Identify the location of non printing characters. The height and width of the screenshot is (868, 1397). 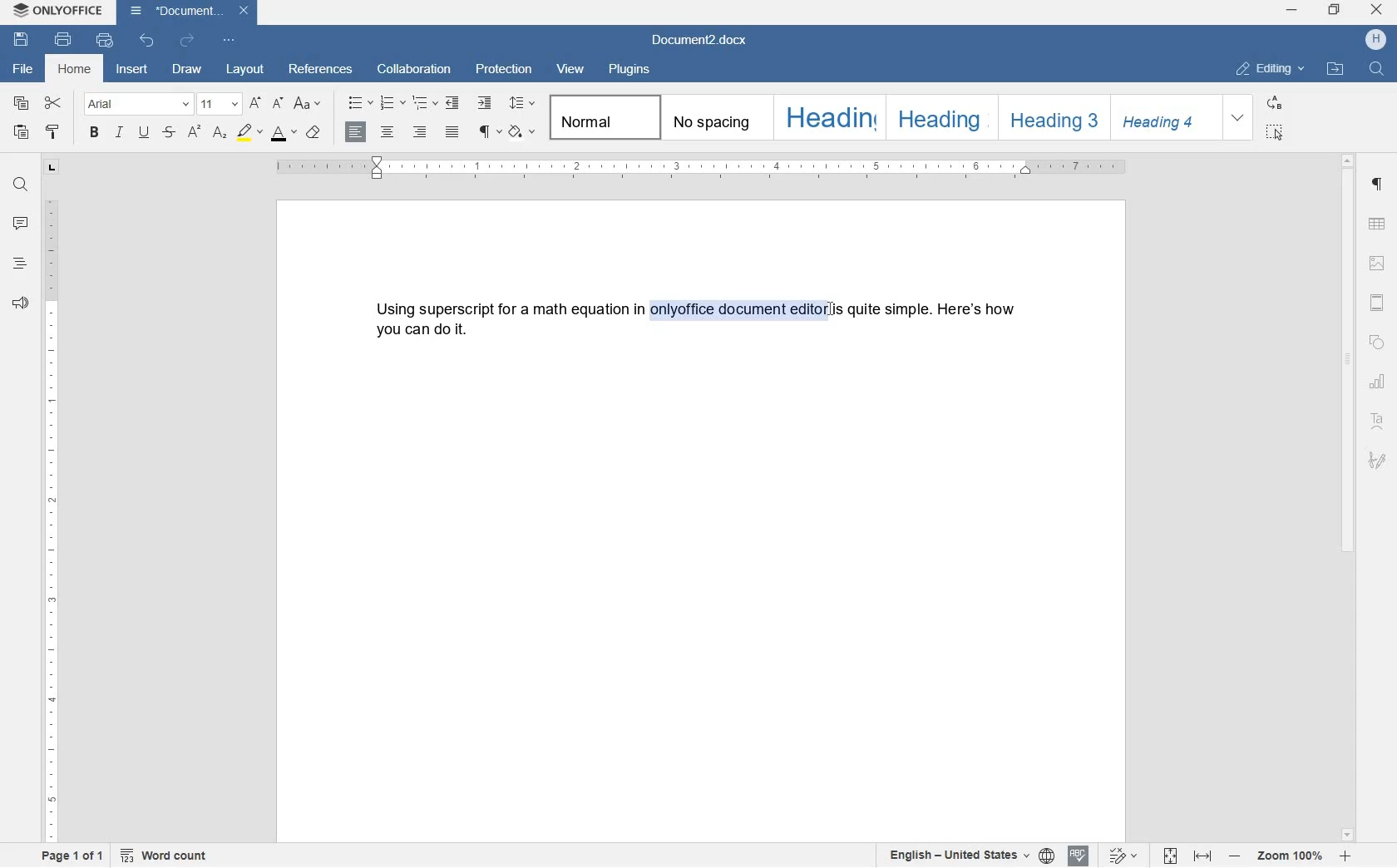
(488, 133).